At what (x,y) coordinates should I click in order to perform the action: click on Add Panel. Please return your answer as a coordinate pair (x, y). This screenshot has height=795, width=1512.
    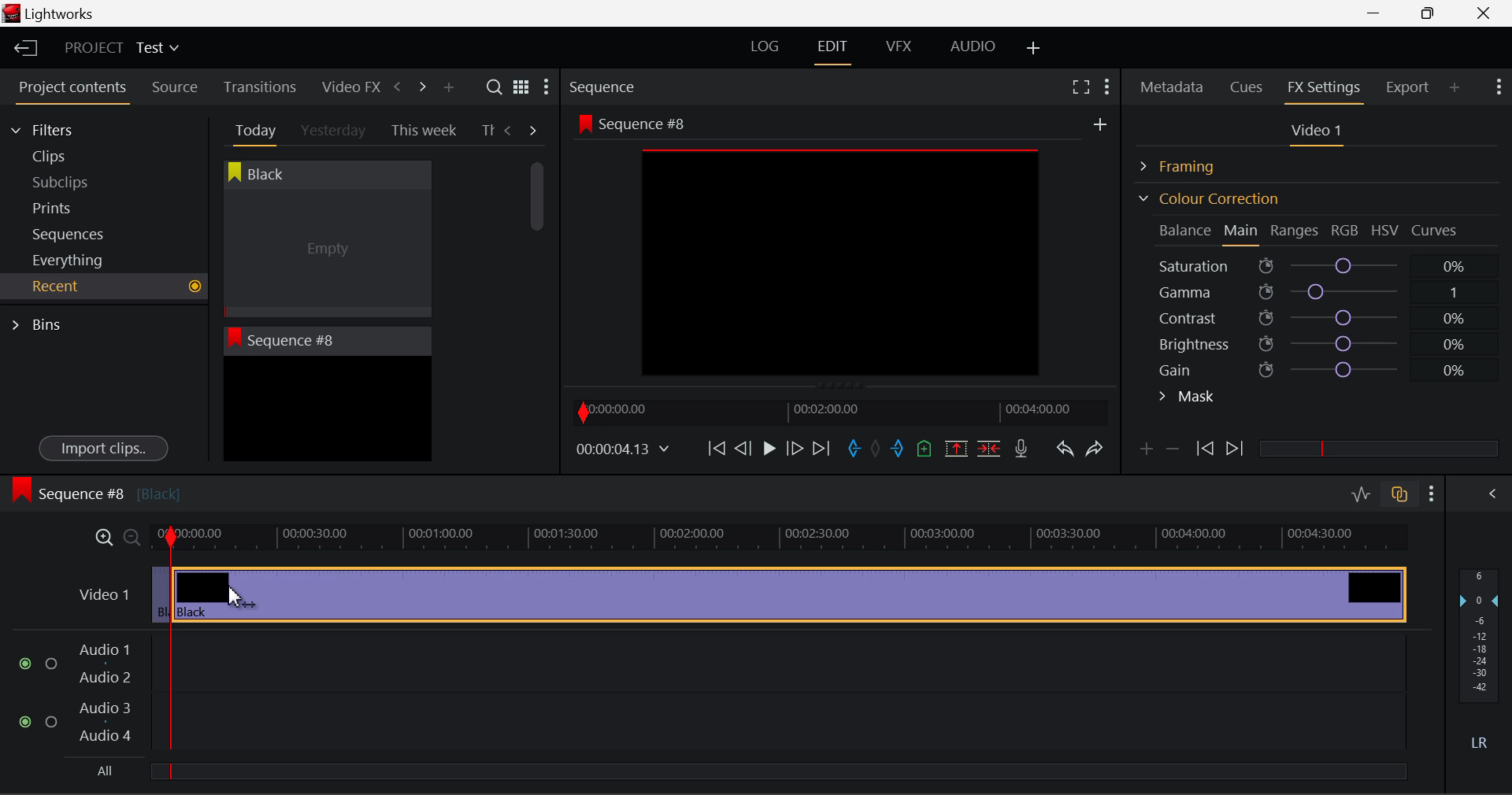
    Looking at the image, I should click on (448, 88).